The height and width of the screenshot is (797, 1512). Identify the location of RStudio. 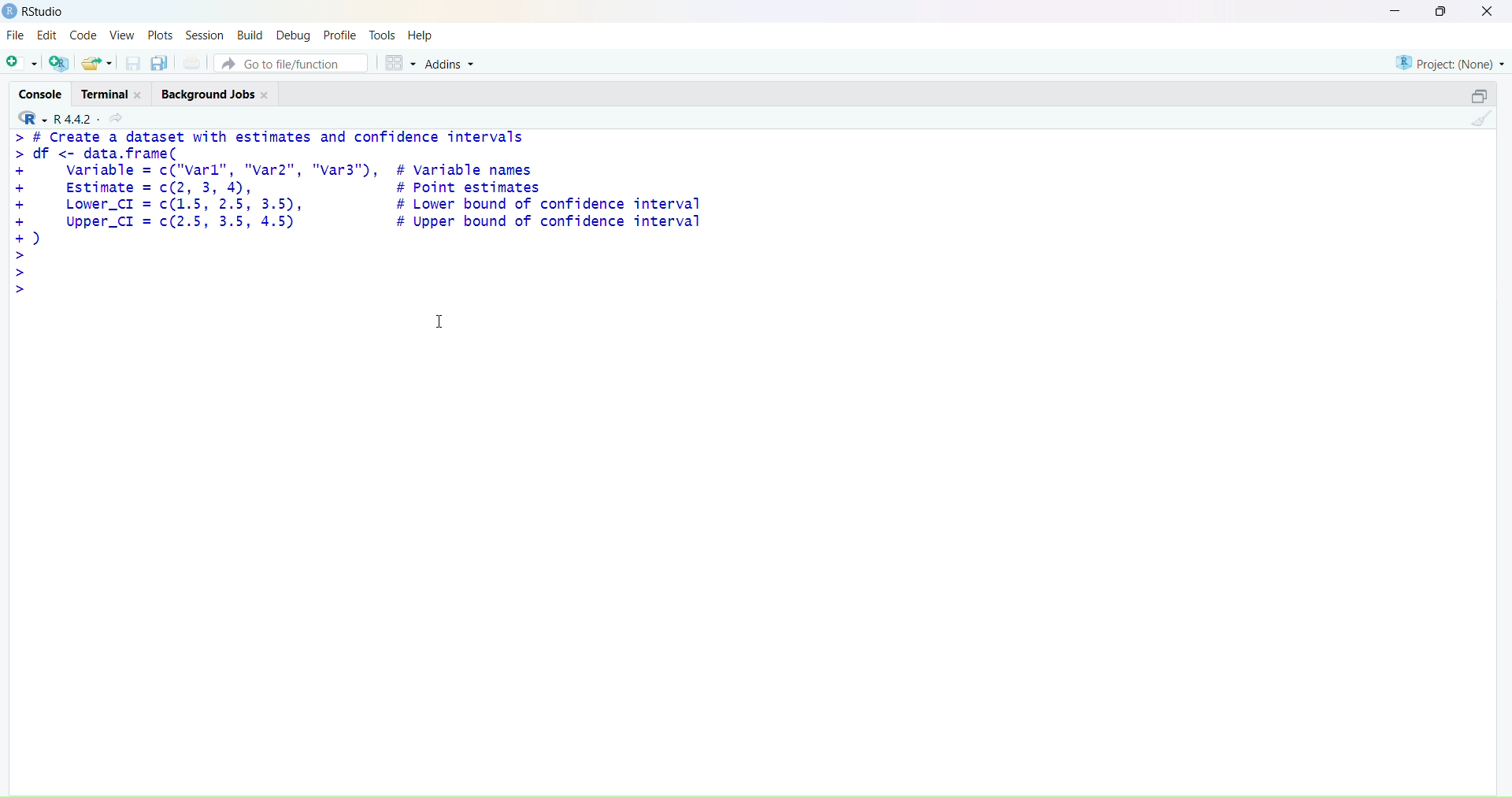
(40, 12).